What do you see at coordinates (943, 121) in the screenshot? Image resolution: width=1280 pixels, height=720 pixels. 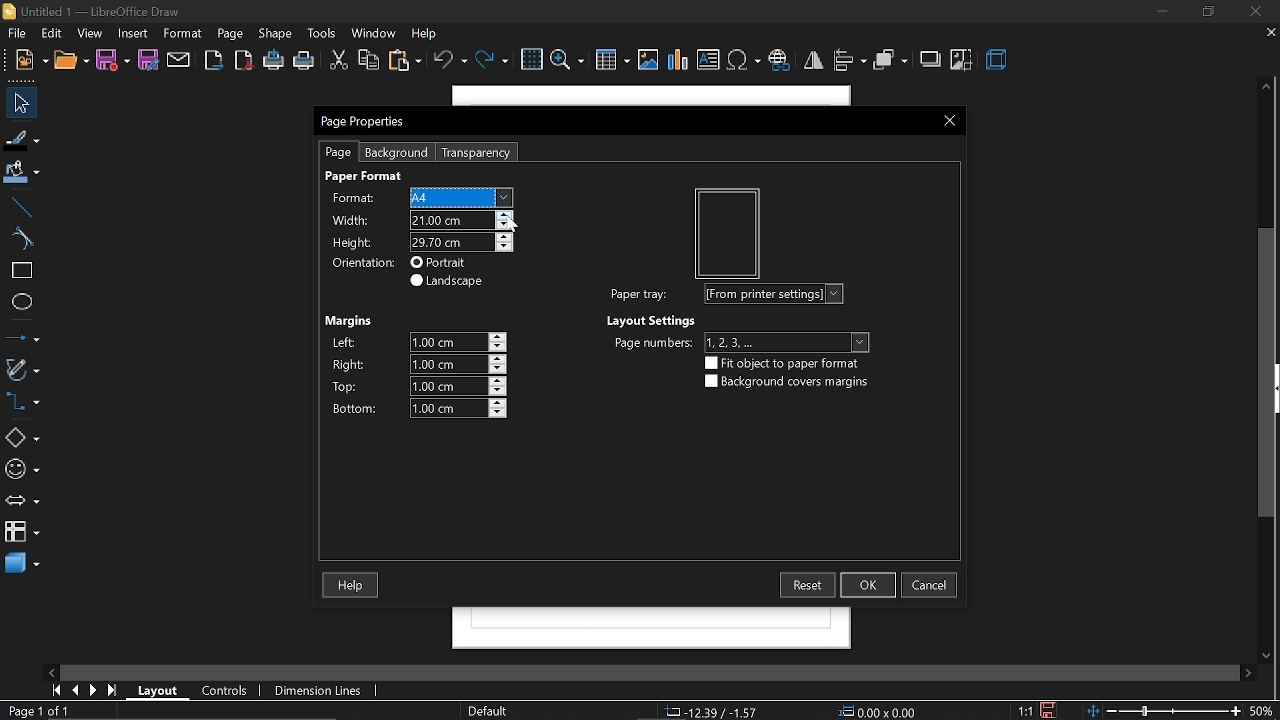 I see `close` at bounding box center [943, 121].